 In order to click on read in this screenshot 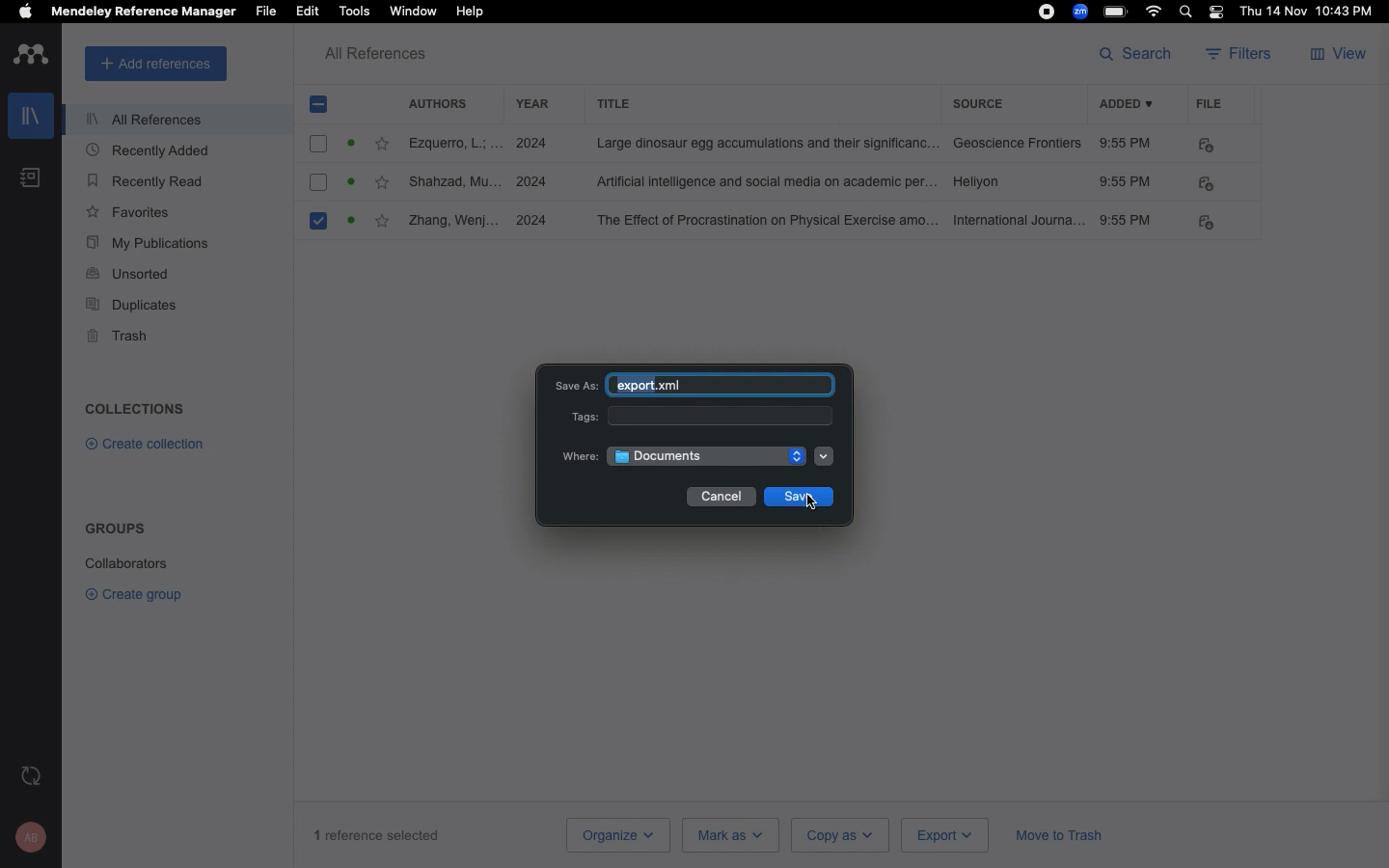, I will do `click(354, 183)`.